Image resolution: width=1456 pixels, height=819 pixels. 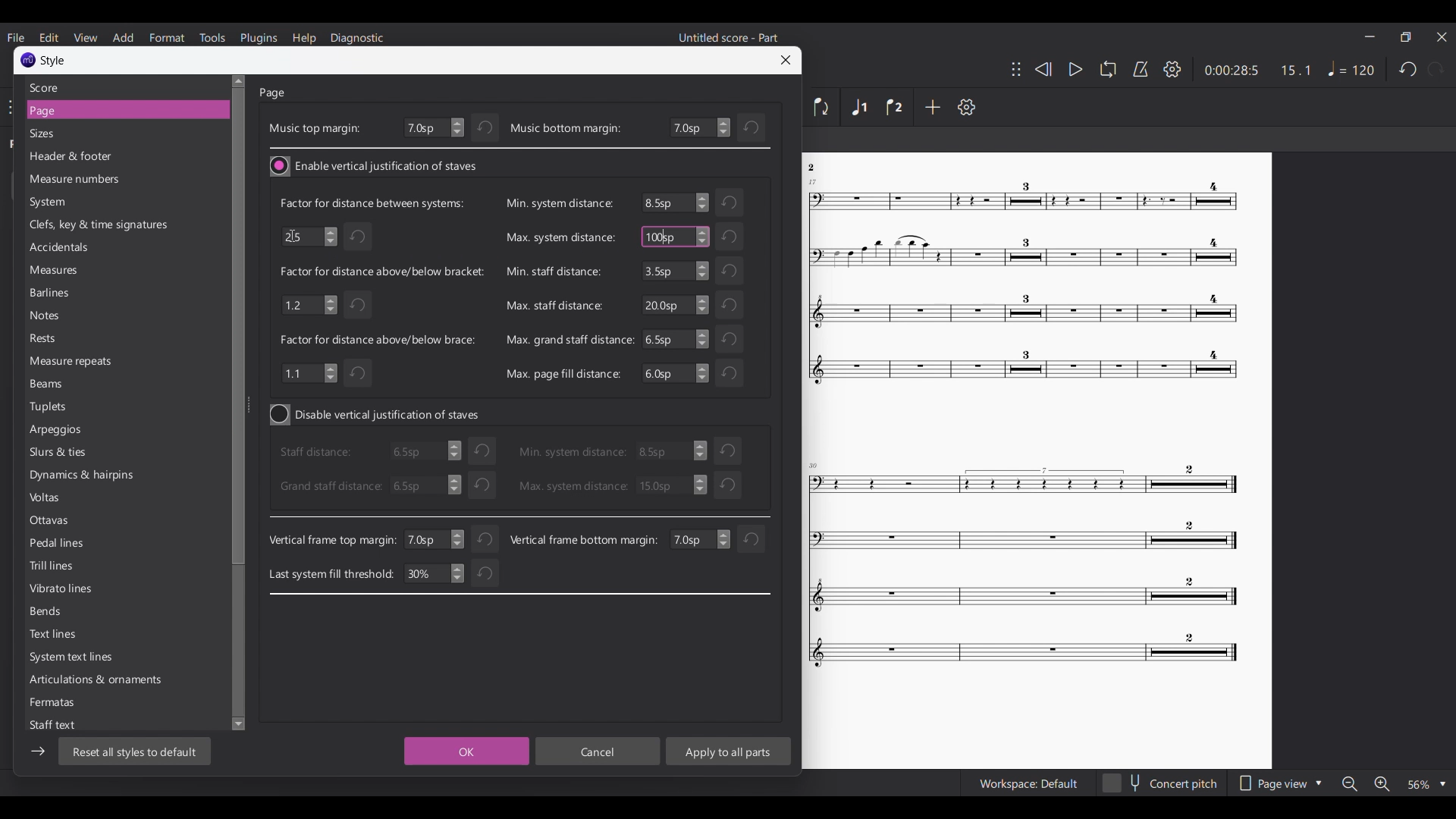 What do you see at coordinates (674, 271) in the screenshot?
I see `3.5sp` at bounding box center [674, 271].